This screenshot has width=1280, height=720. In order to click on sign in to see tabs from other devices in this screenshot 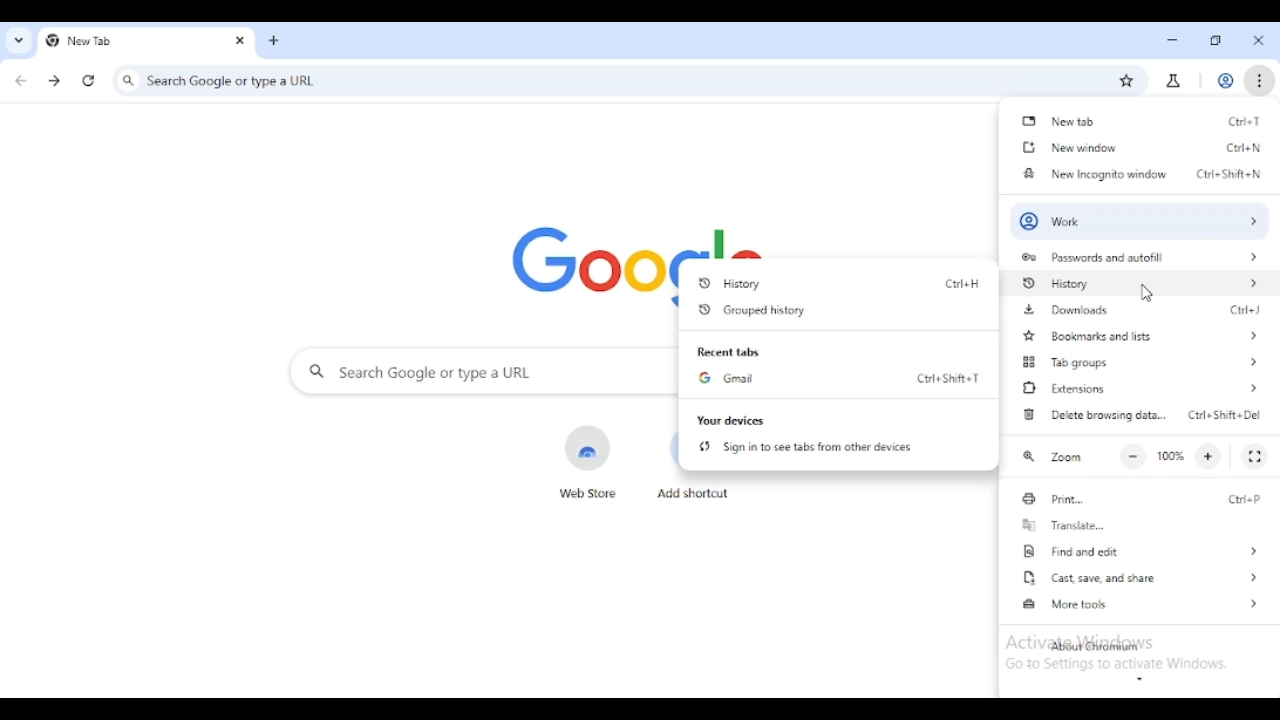, I will do `click(806, 447)`.